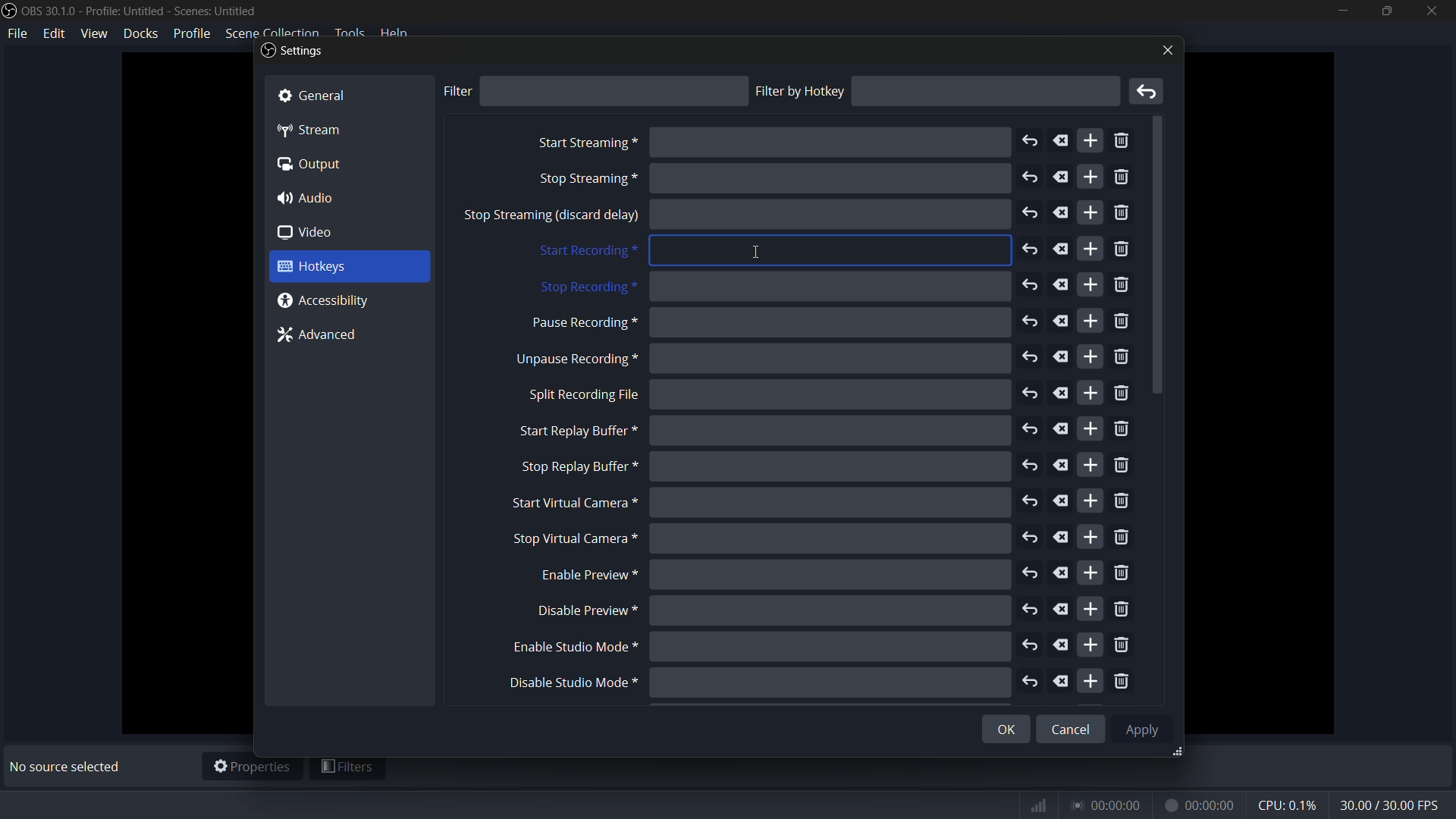 Image resolution: width=1456 pixels, height=819 pixels. Describe the element at coordinates (69, 767) in the screenshot. I see `No source selected` at that location.